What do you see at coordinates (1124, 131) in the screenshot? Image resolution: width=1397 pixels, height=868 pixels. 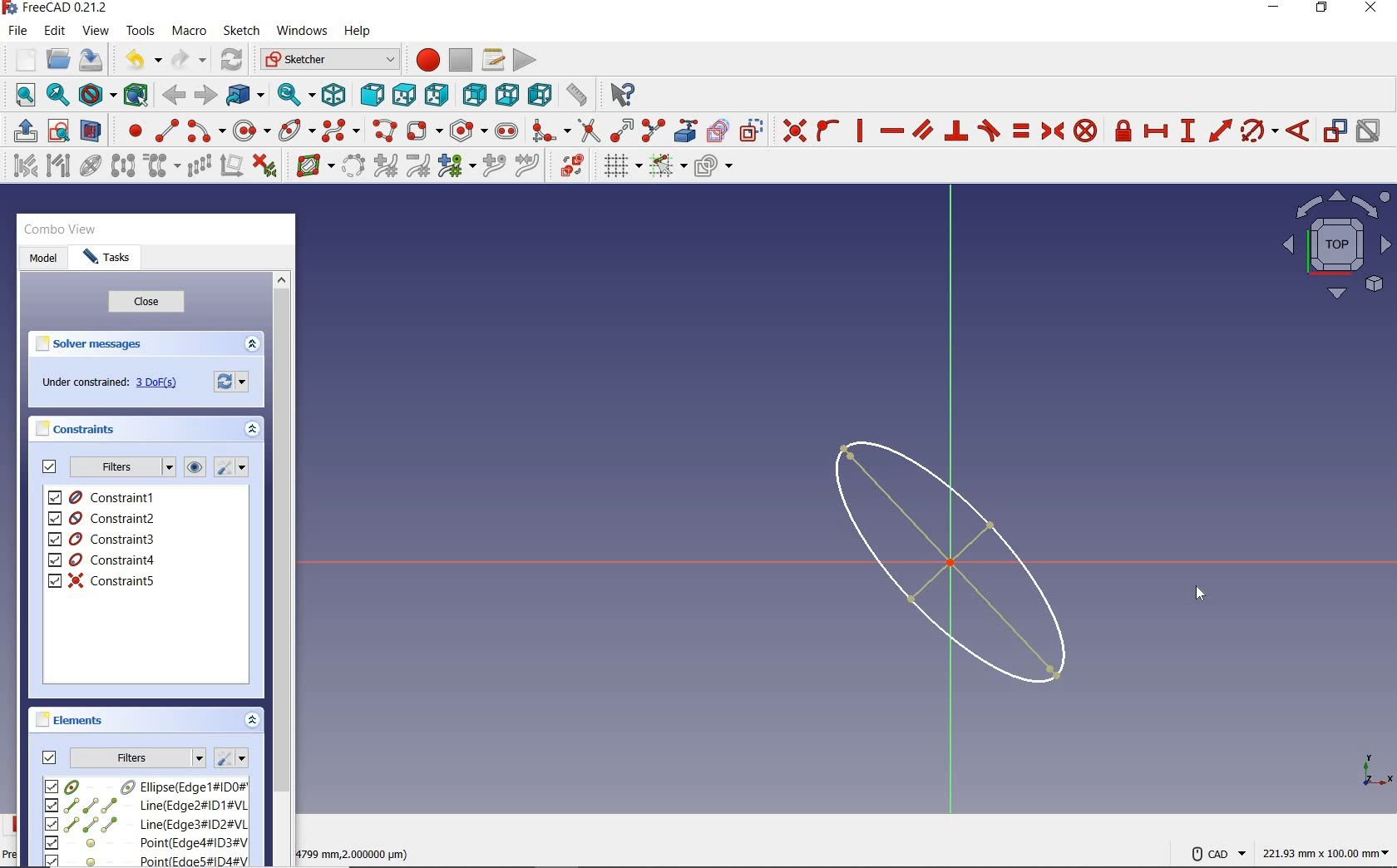 I see `constrin lock` at bounding box center [1124, 131].